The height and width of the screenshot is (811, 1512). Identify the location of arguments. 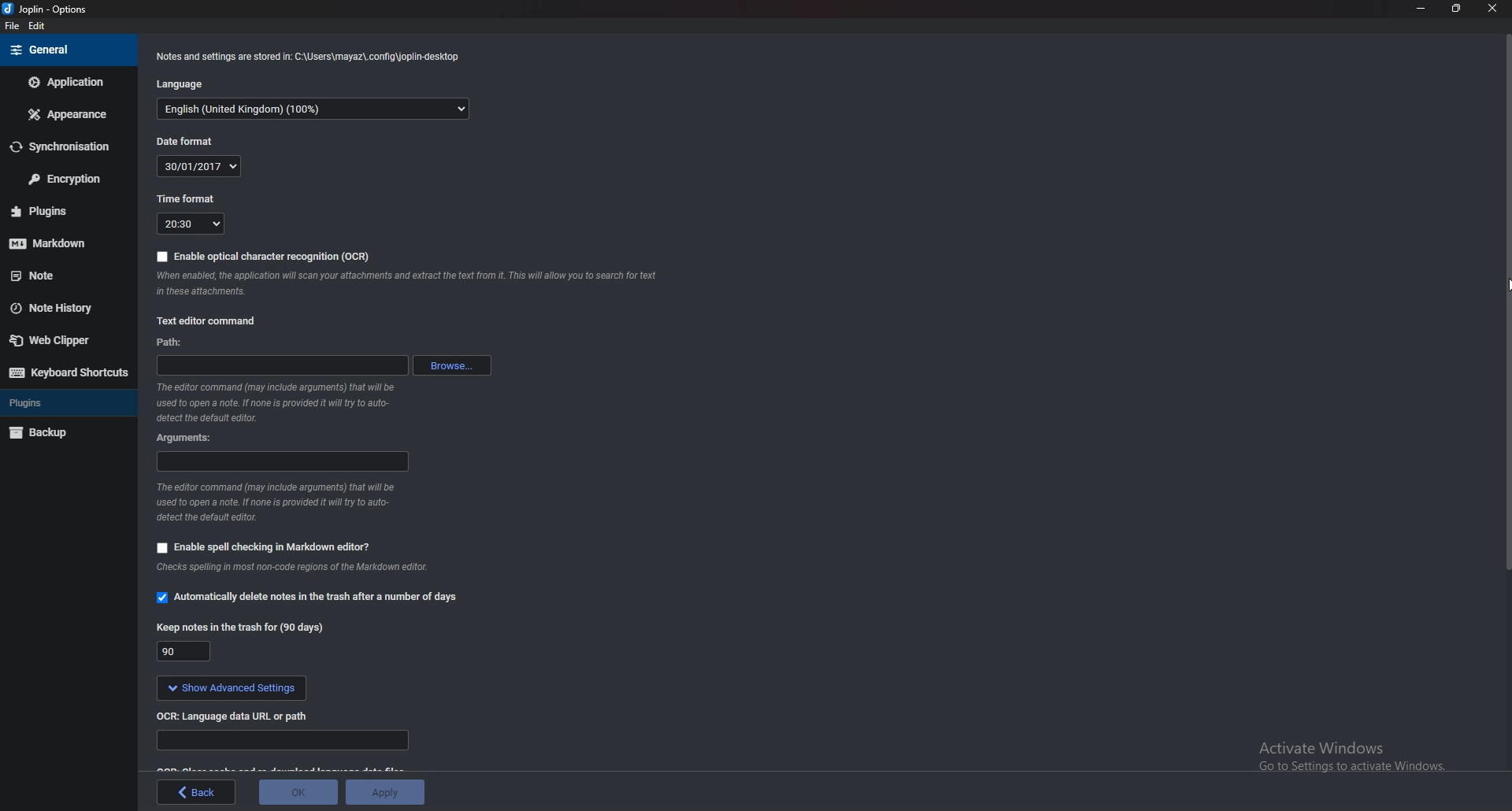
(281, 461).